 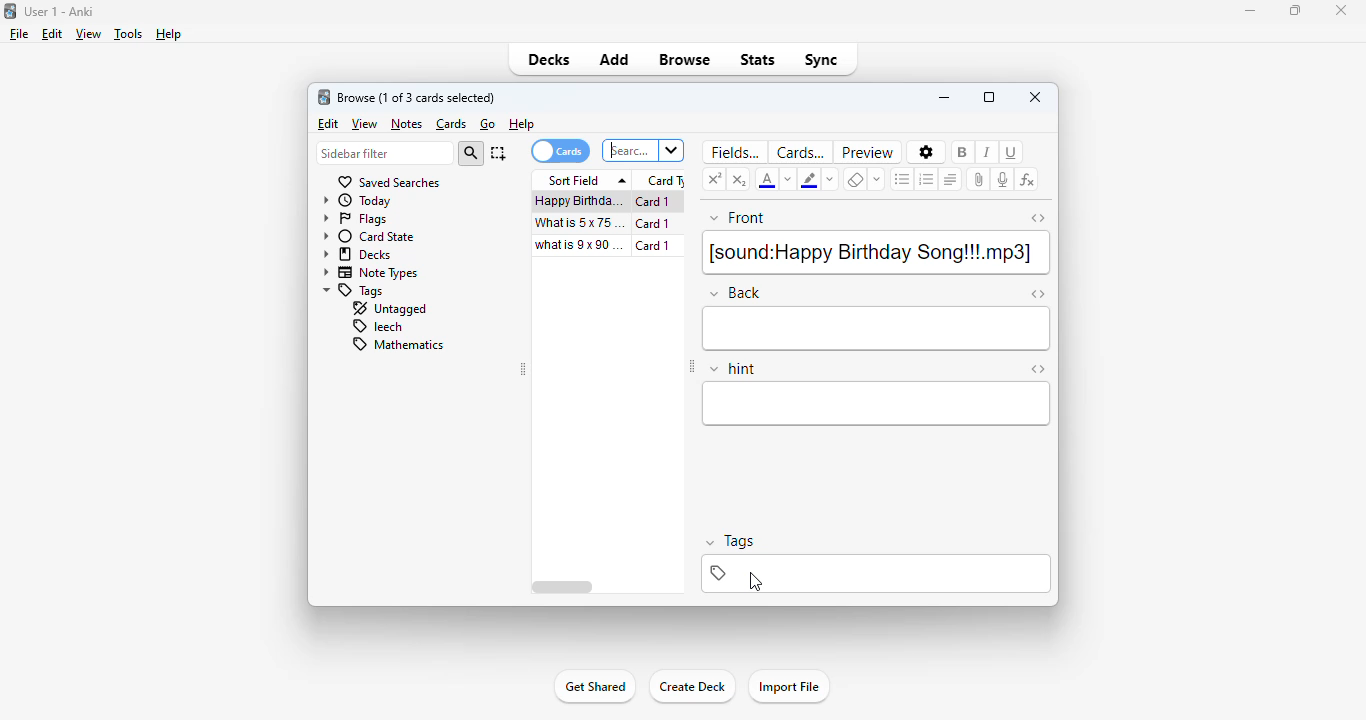 What do you see at coordinates (964, 151) in the screenshot?
I see `bols` at bounding box center [964, 151].